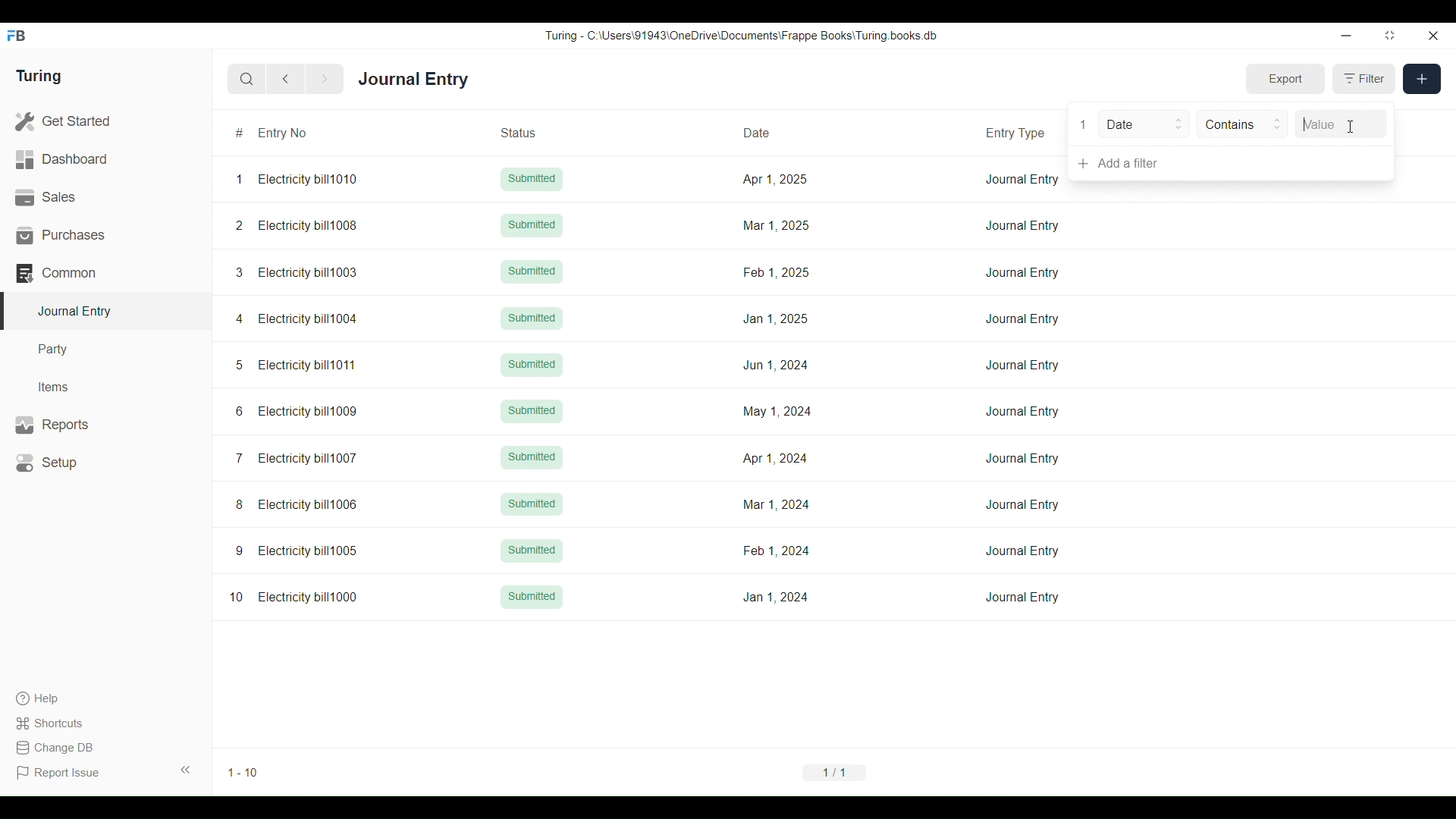 This screenshot has width=1456, height=819. Describe the element at coordinates (776, 551) in the screenshot. I see `Feb 1,2024` at that location.